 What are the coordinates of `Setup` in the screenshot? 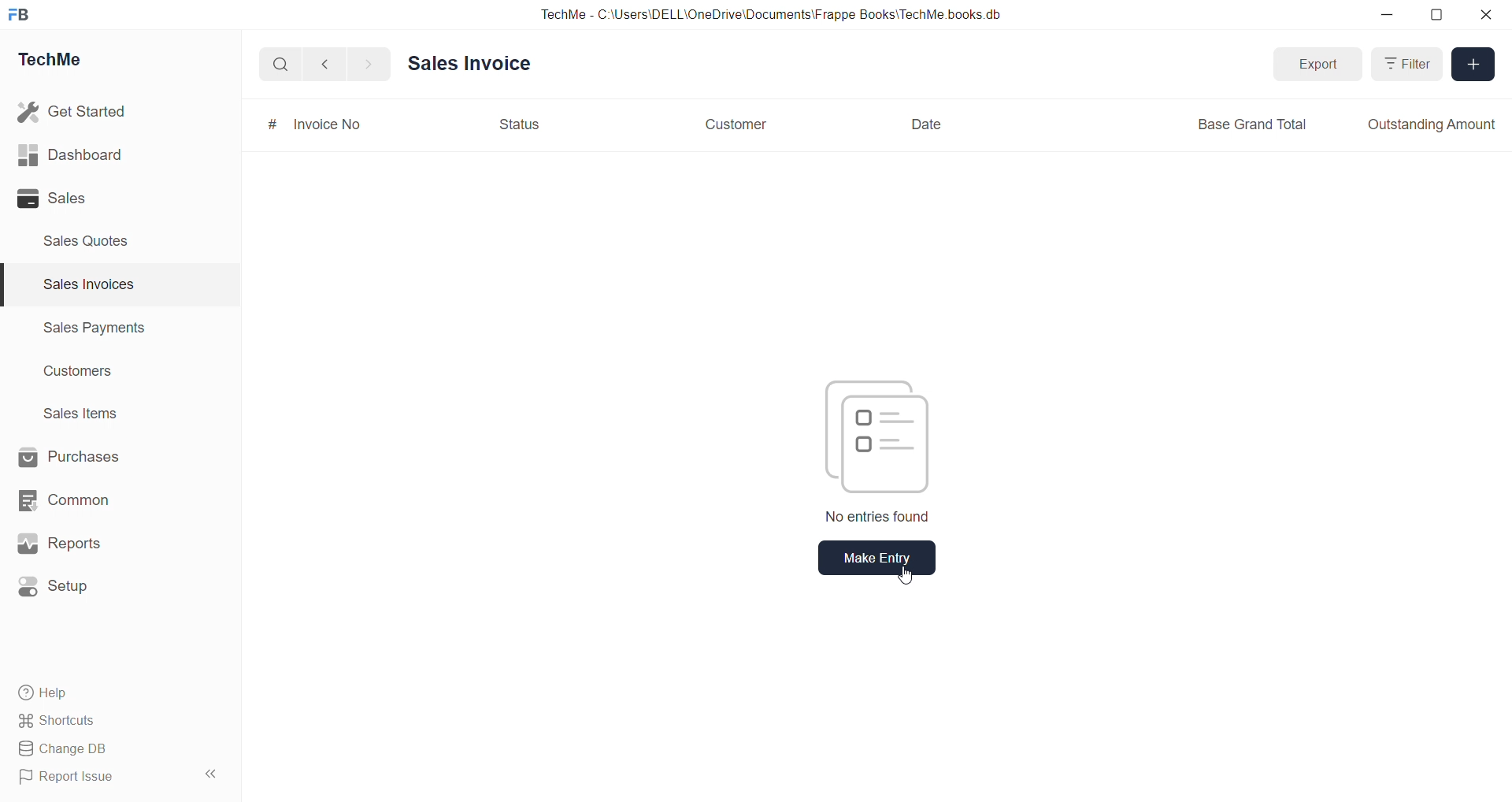 It's located at (55, 587).